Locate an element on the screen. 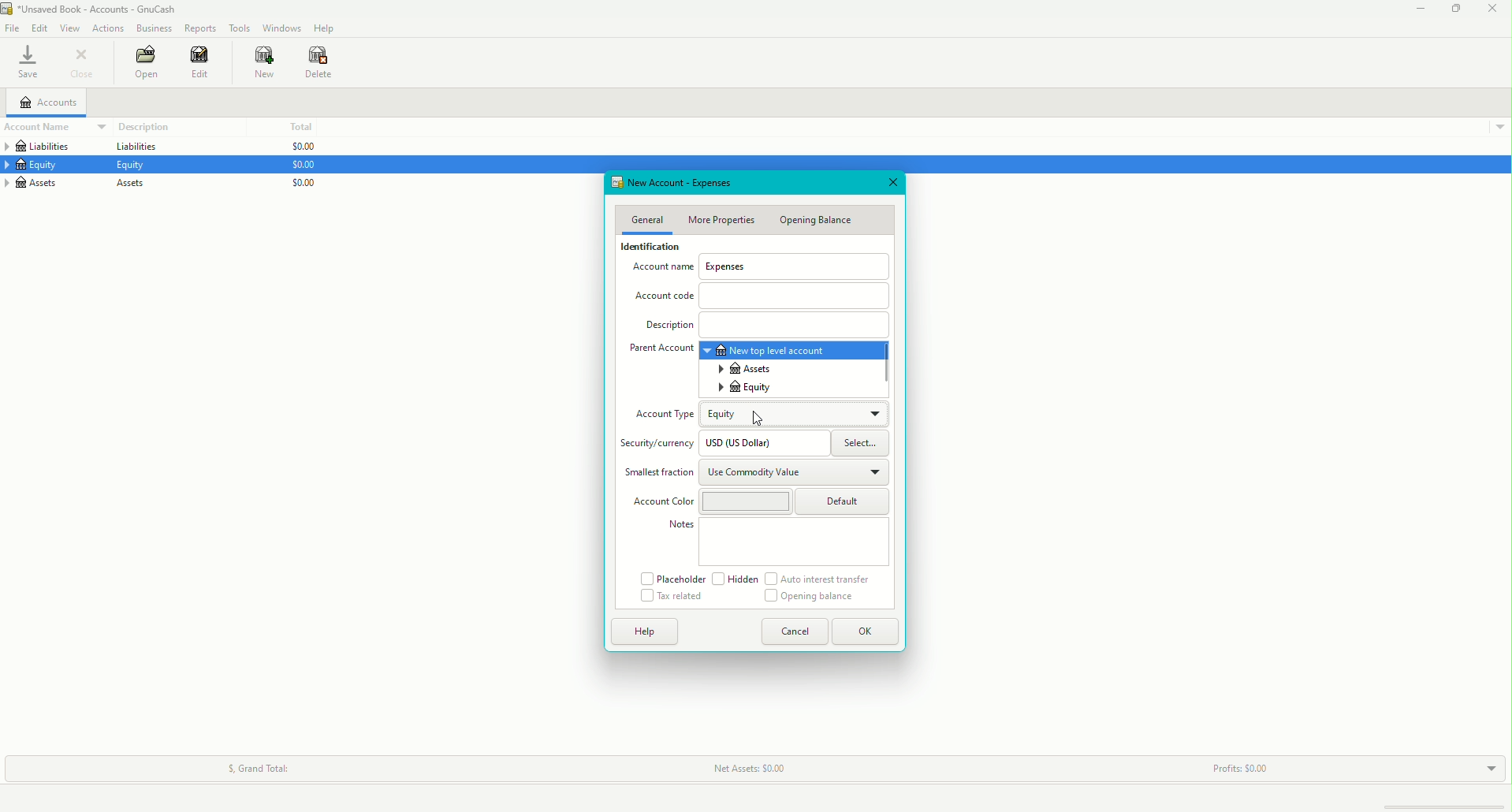 The image size is (1512, 812). unsaved book is located at coordinates (96, 9).